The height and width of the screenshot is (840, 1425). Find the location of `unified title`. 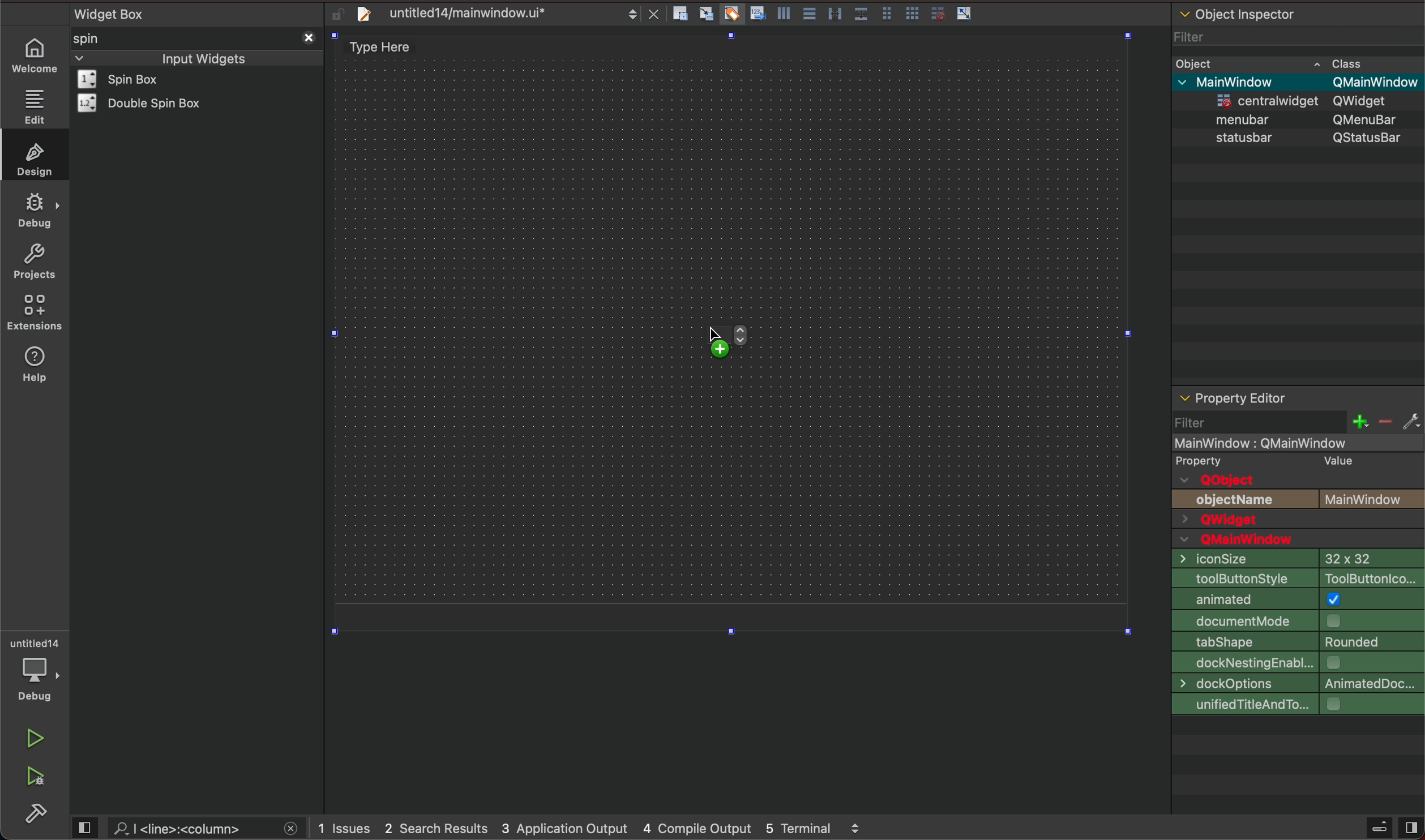

unified title is located at coordinates (1298, 705).